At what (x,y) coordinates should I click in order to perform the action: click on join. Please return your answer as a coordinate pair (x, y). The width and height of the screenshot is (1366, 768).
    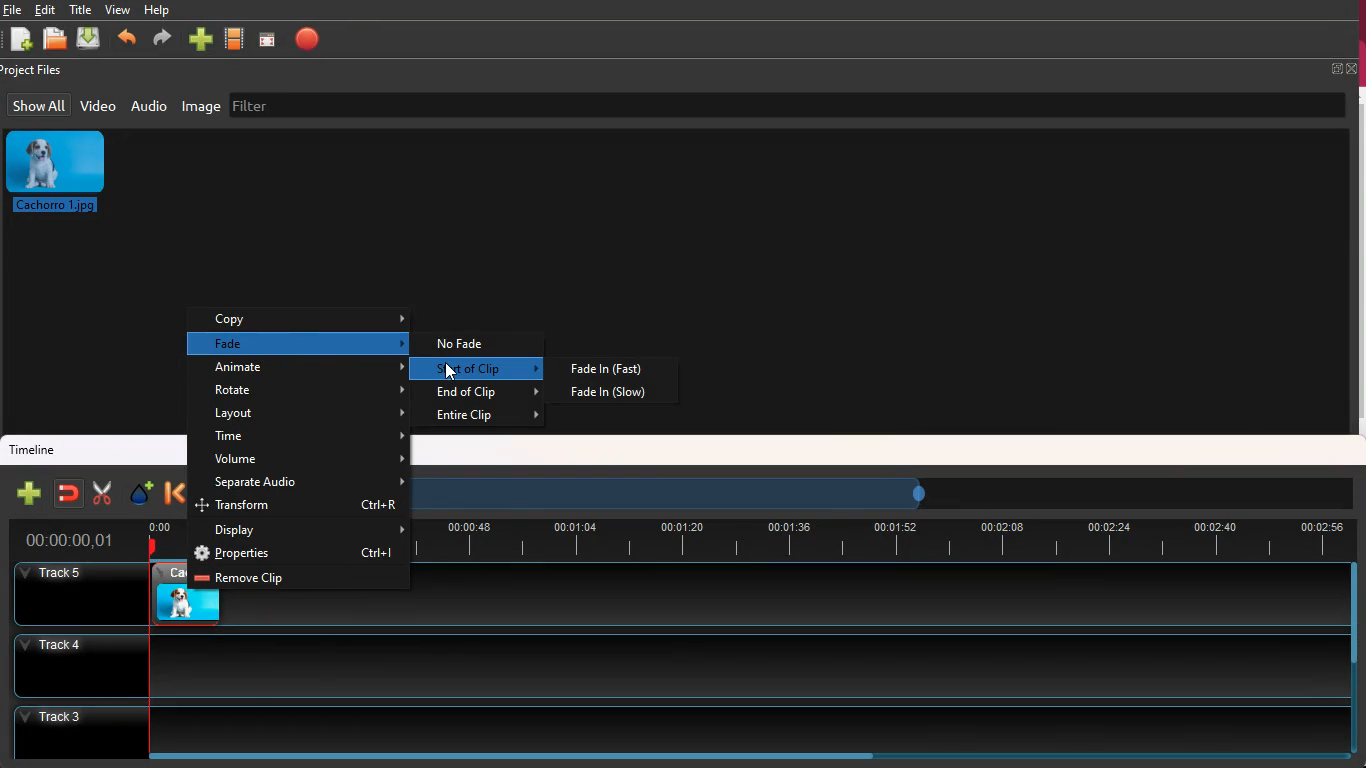
    Looking at the image, I should click on (70, 493).